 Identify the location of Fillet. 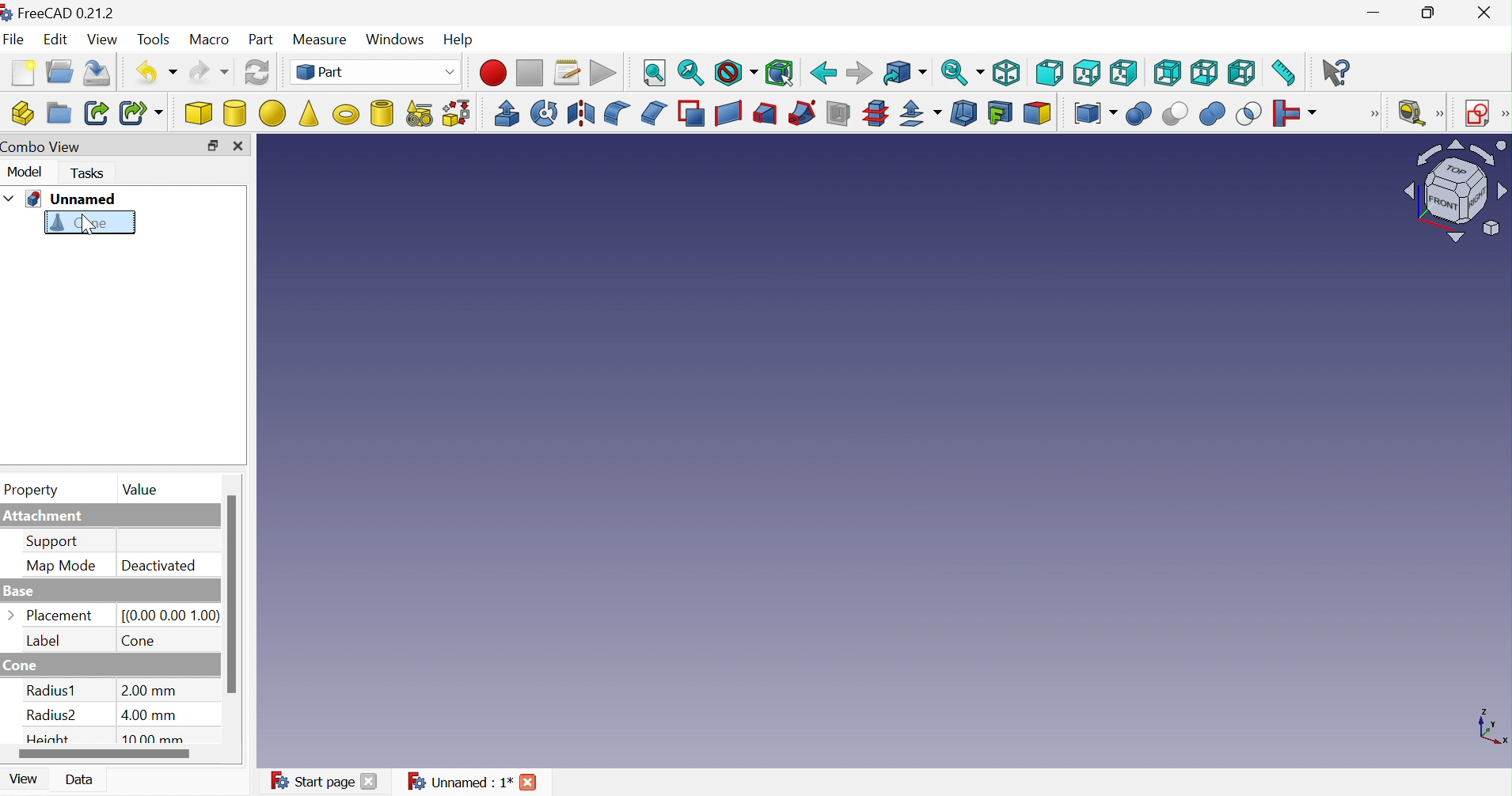
(617, 112).